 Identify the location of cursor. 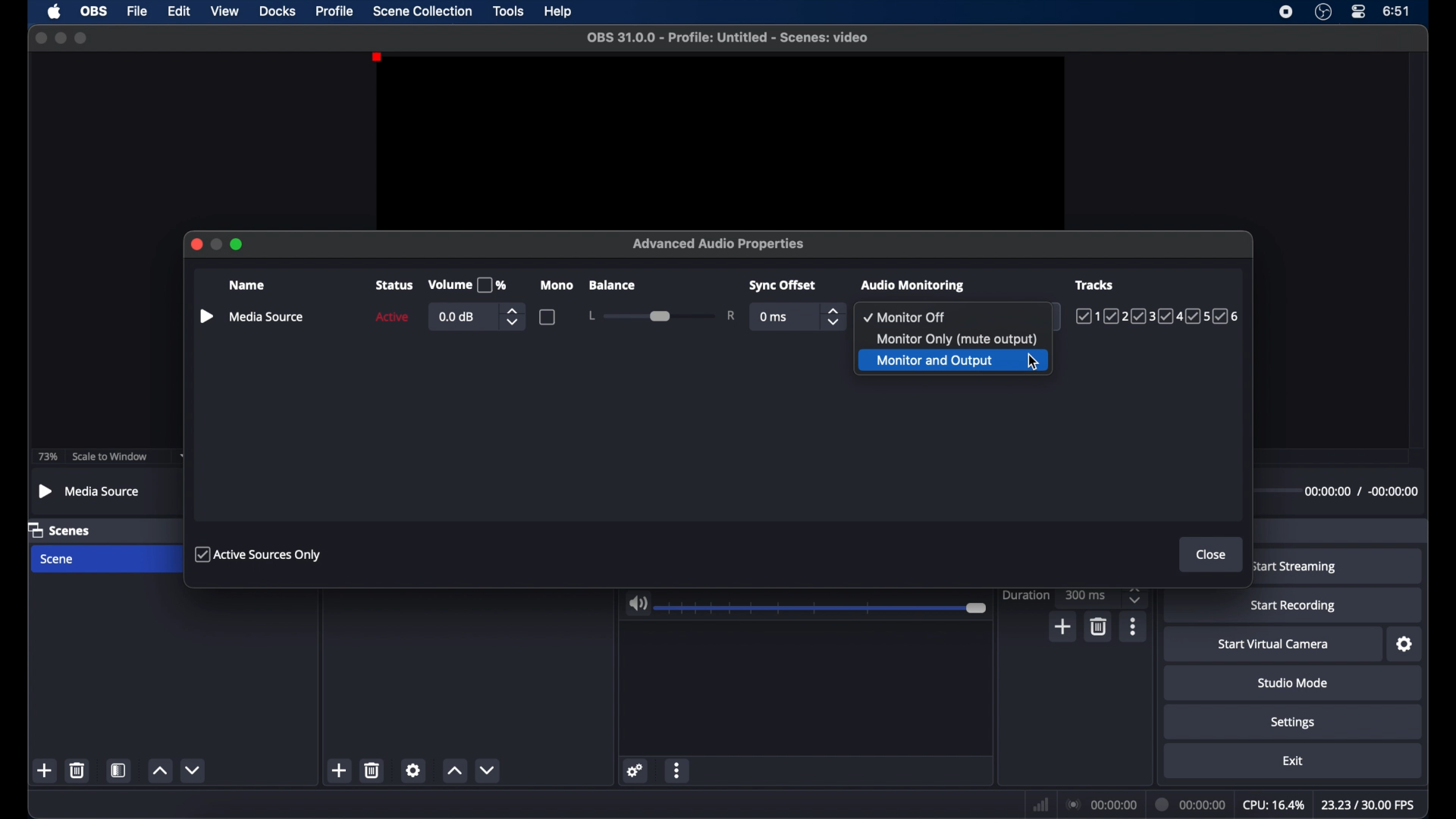
(1034, 364).